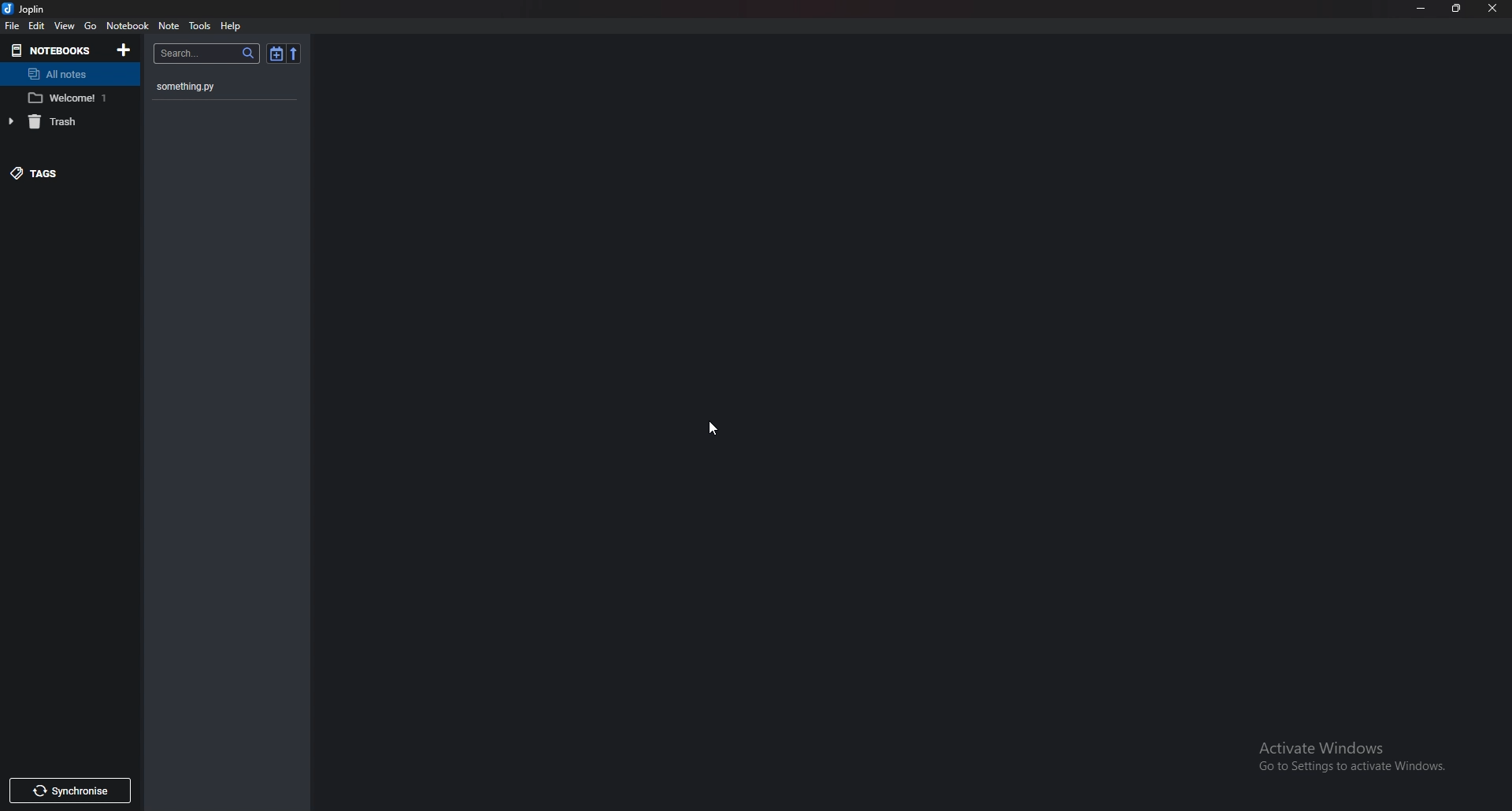 This screenshot has height=811, width=1512. Describe the element at coordinates (55, 173) in the screenshot. I see `Tags` at that location.